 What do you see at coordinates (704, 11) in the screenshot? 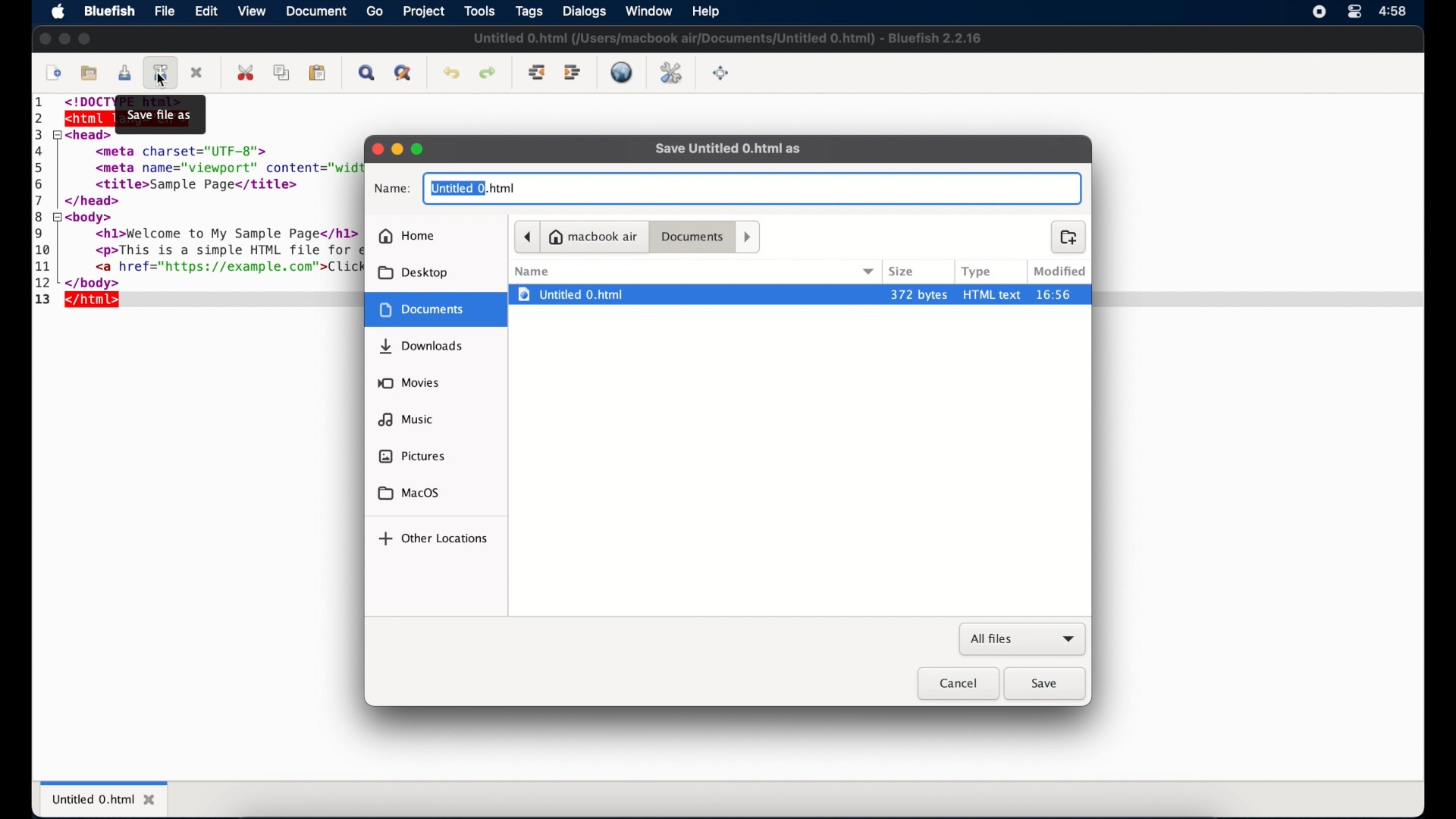
I see `help` at bounding box center [704, 11].